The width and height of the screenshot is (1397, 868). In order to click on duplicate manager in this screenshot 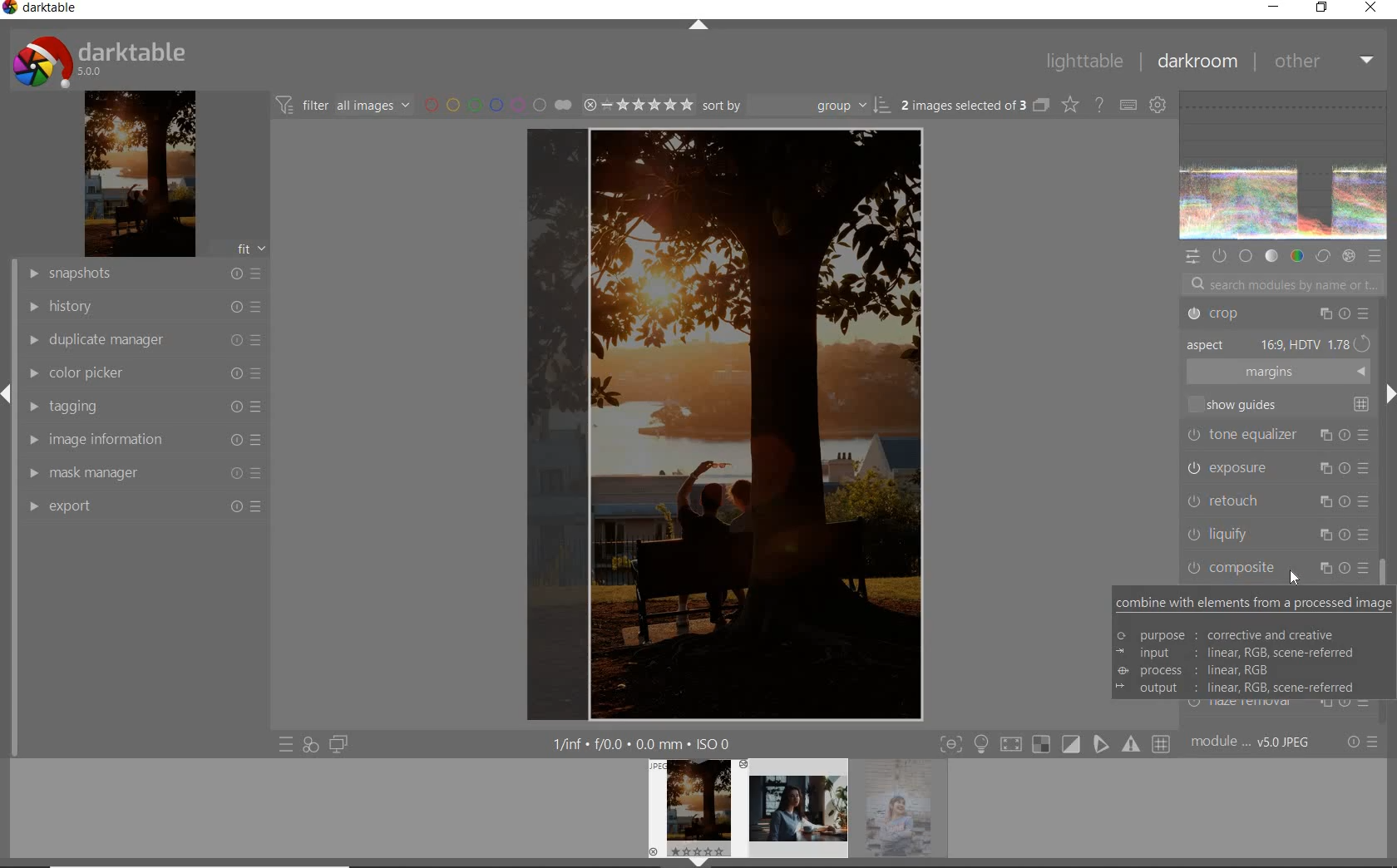, I will do `click(144, 339)`.